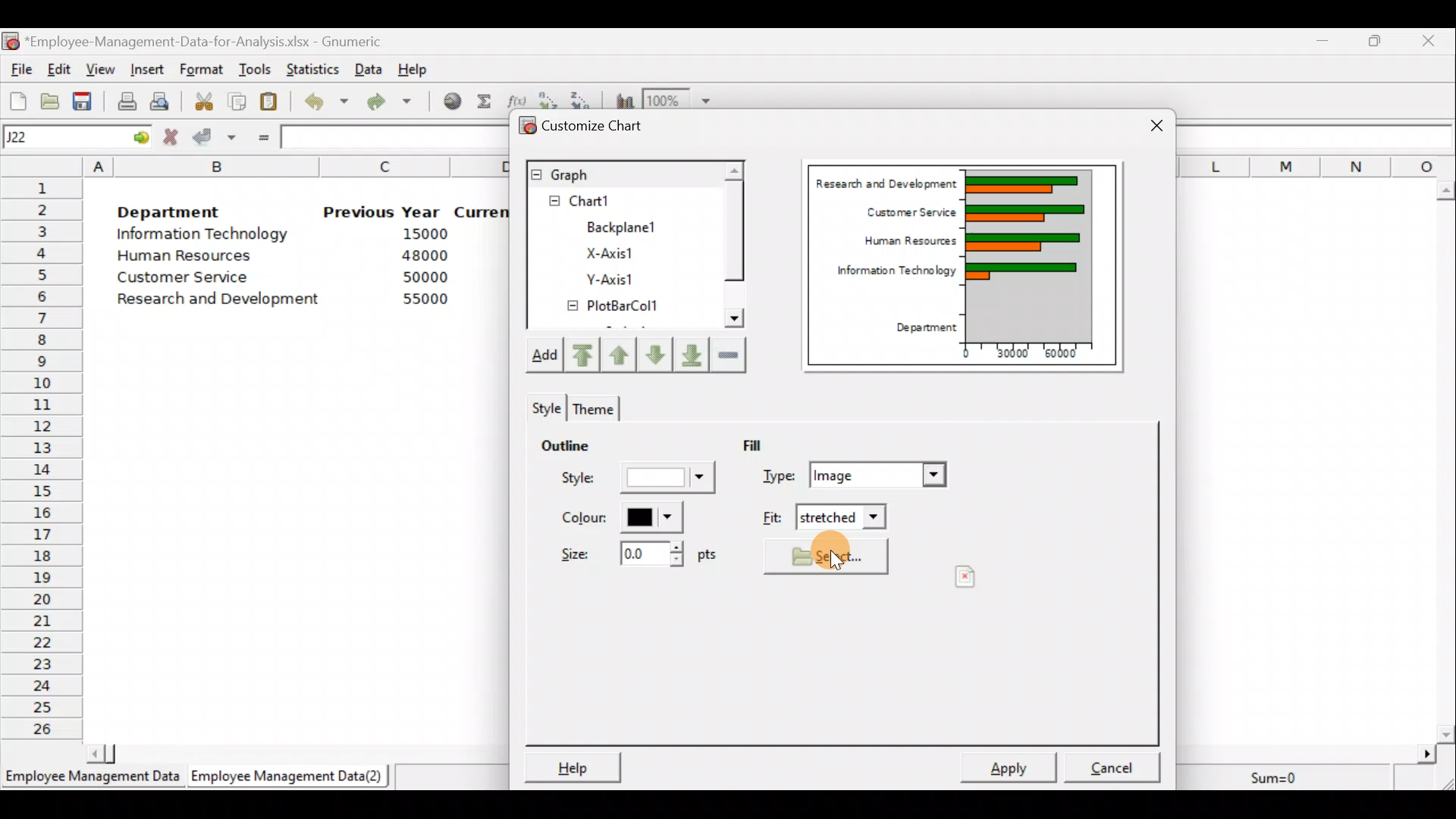 Image resolution: width=1456 pixels, height=819 pixels. Describe the element at coordinates (450, 104) in the screenshot. I see `Insert hyperlink` at that location.